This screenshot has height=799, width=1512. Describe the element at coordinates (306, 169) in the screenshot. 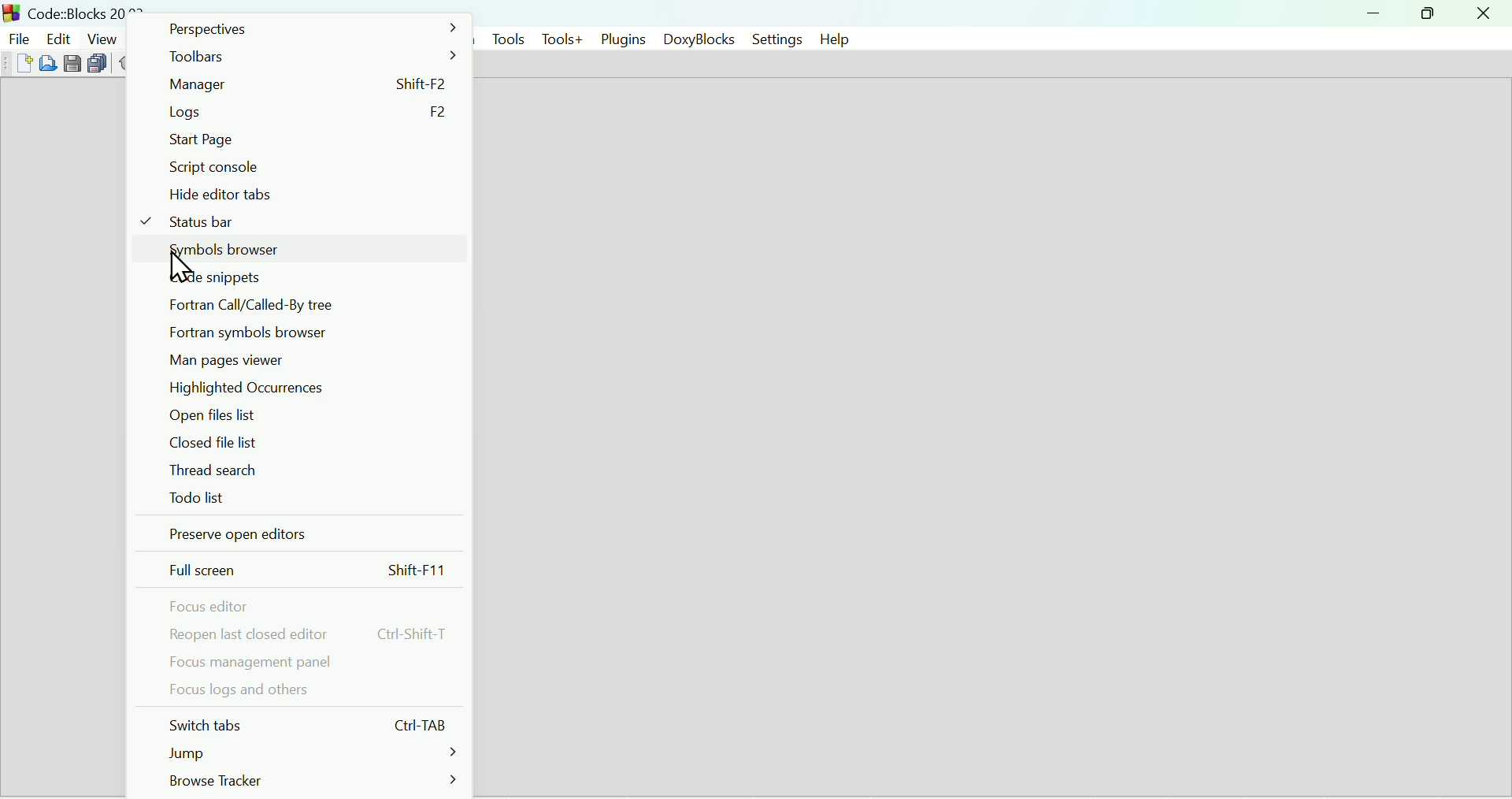

I see `Script console` at that location.